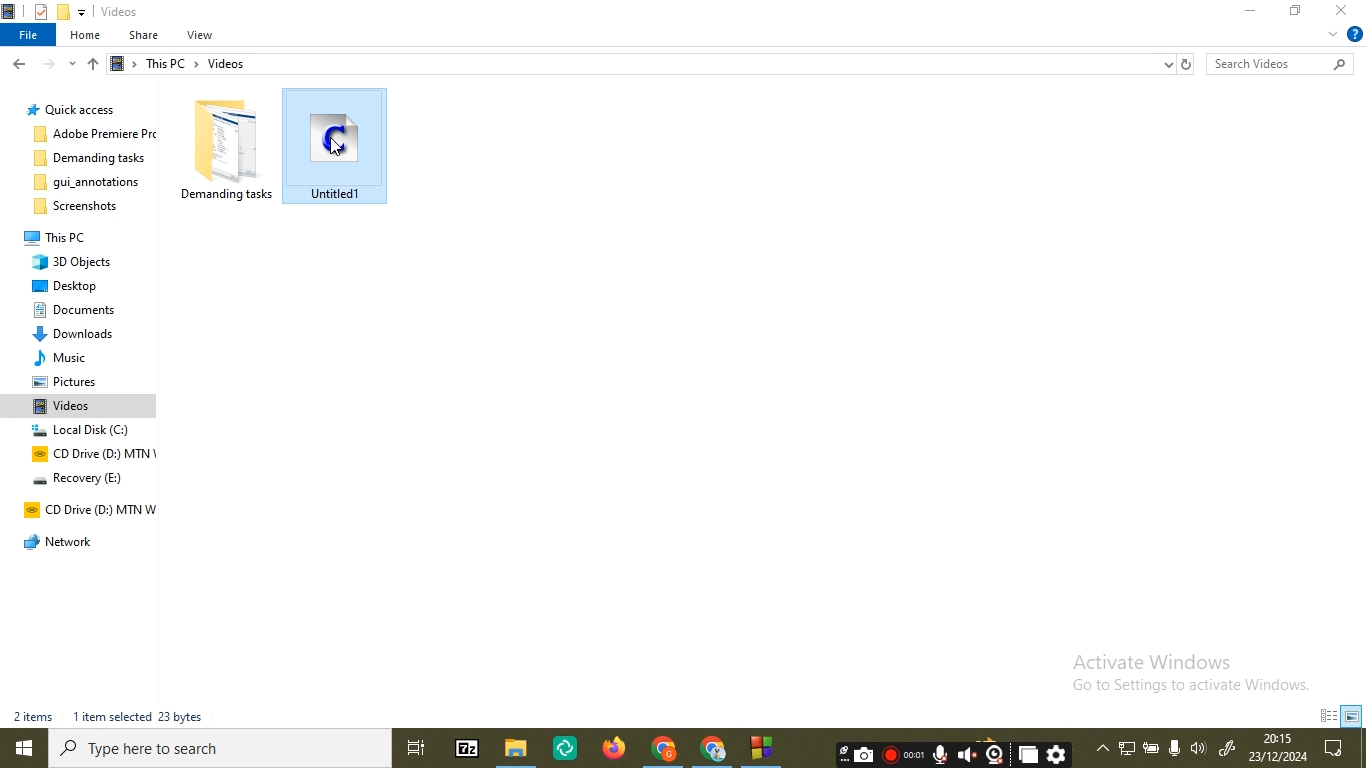  What do you see at coordinates (204, 37) in the screenshot?
I see `view` at bounding box center [204, 37].